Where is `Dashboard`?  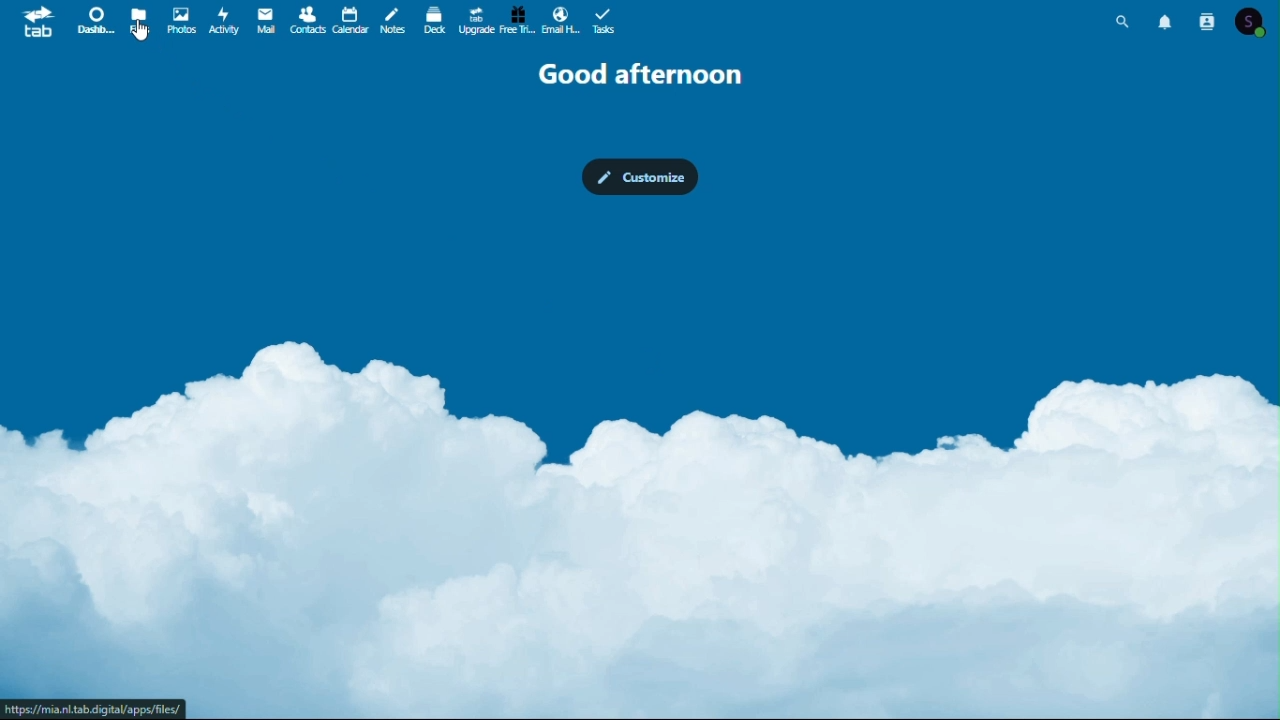
Dashboard is located at coordinates (93, 21).